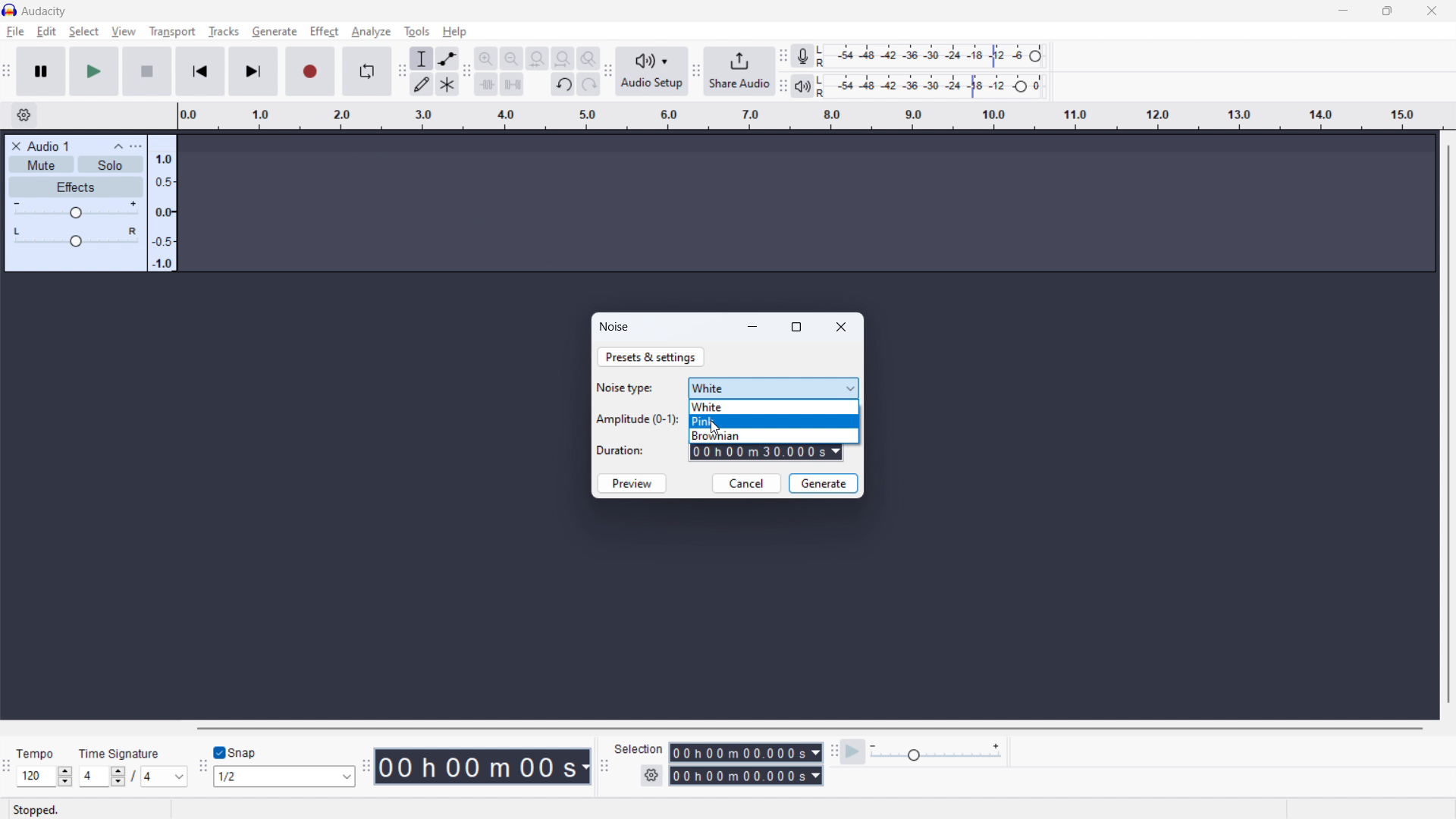 Image resolution: width=1456 pixels, height=819 pixels. What do you see at coordinates (122, 752) in the screenshot?
I see `Time signature` at bounding box center [122, 752].